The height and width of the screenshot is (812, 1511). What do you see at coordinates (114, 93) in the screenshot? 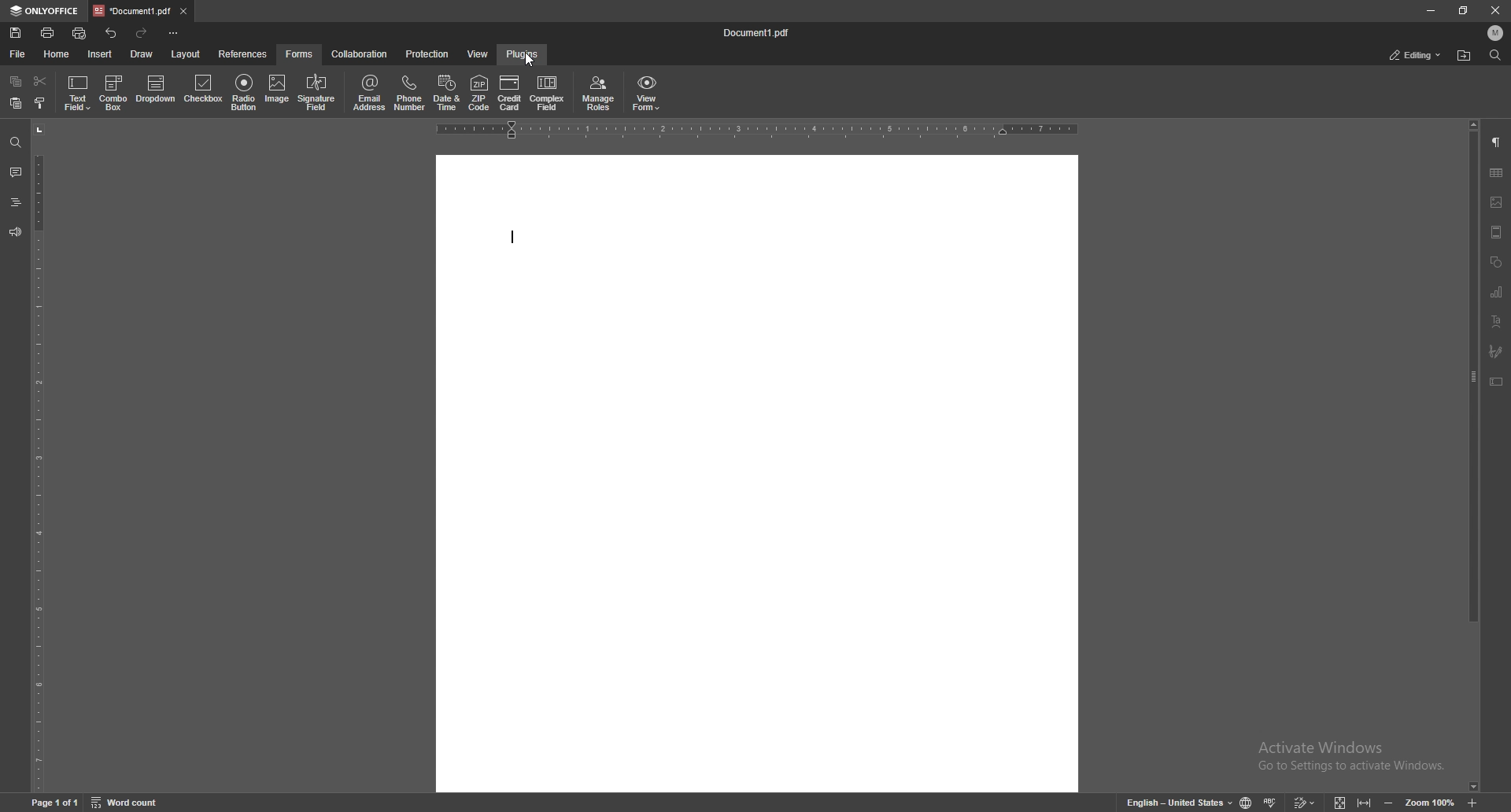
I see `combo box` at bounding box center [114, 93].